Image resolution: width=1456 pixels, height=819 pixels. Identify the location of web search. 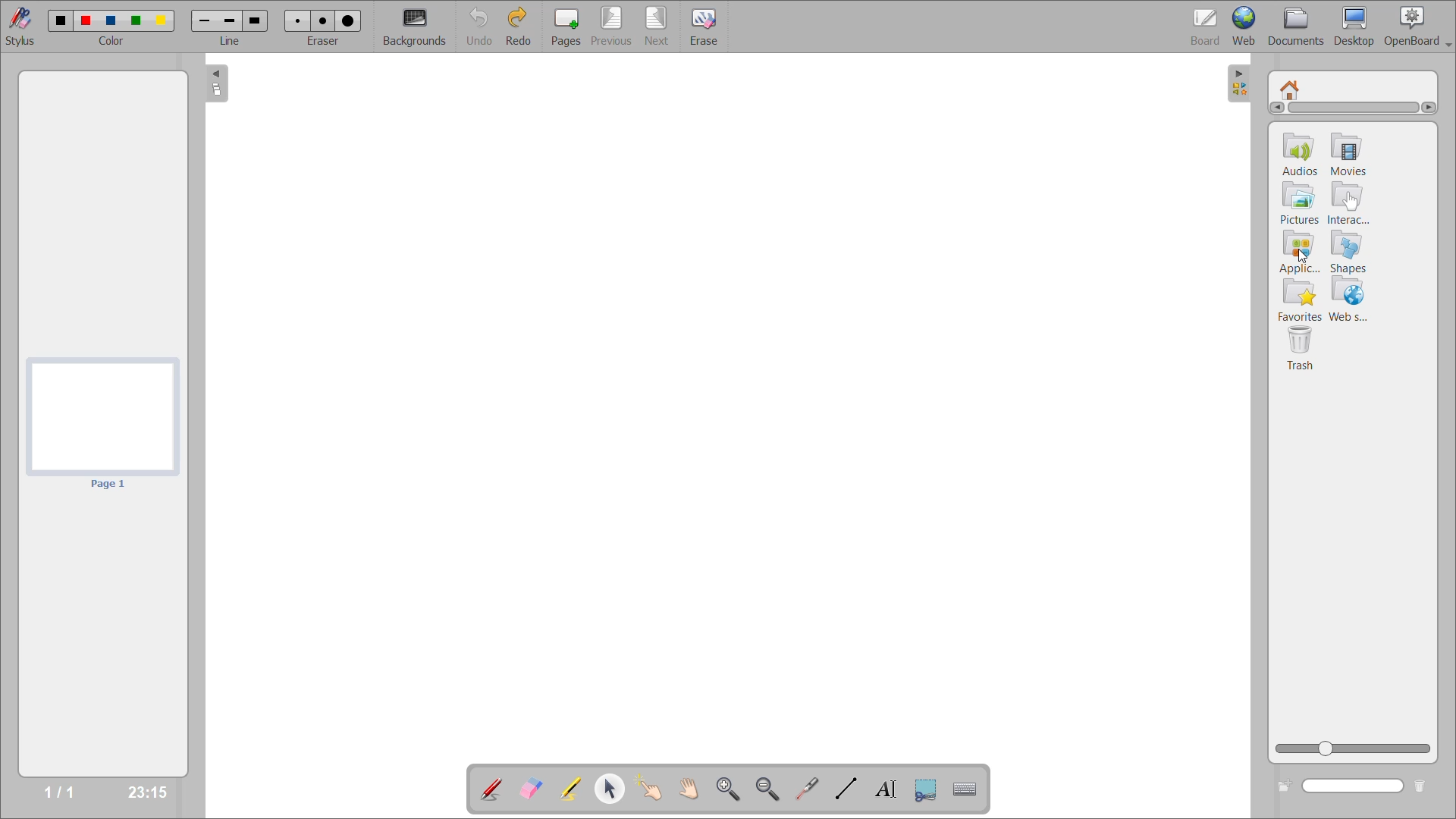
(1347, 300).